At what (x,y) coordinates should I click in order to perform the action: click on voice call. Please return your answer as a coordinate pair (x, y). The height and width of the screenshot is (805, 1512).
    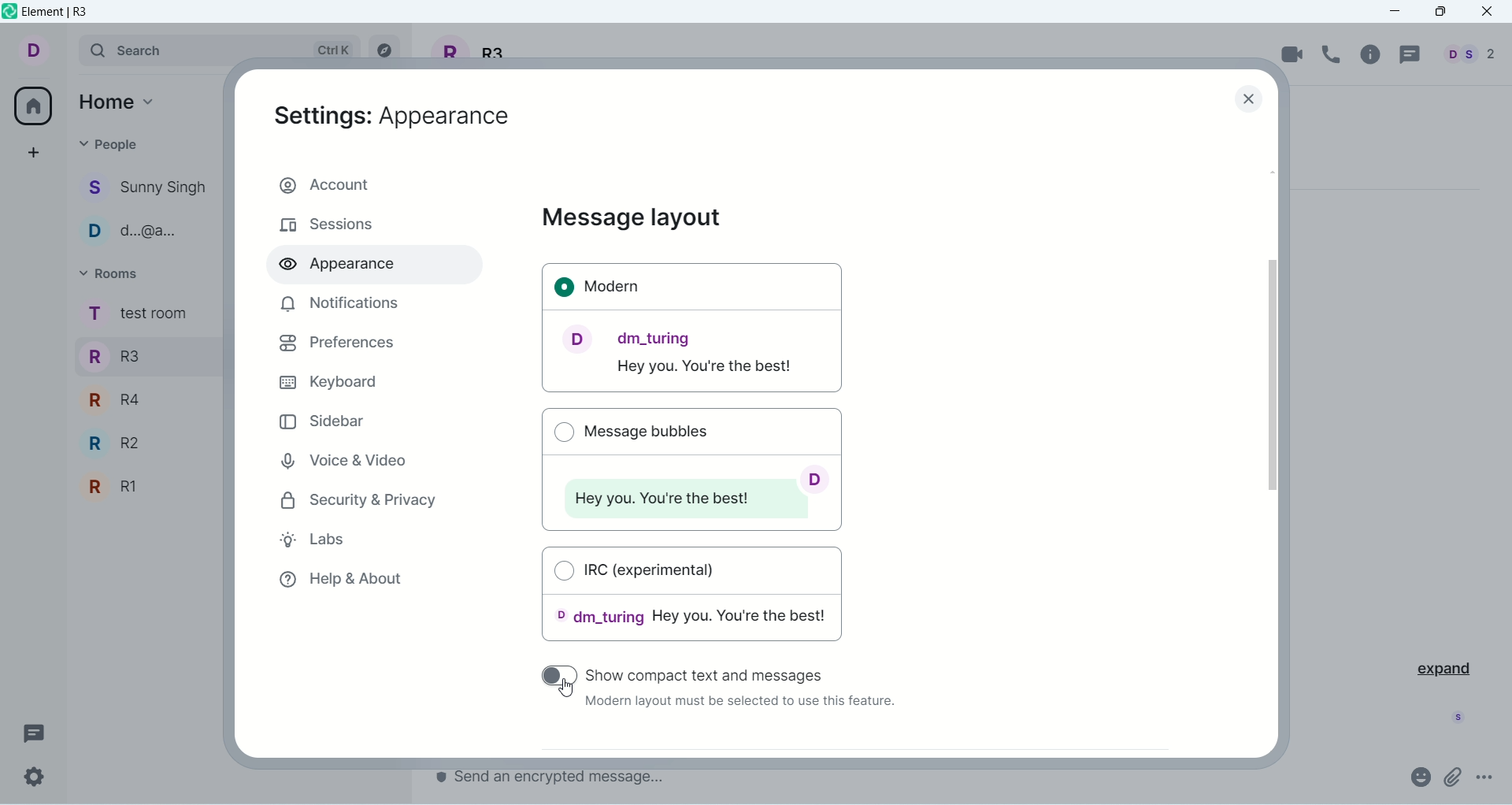
    Looking at the image, I should click on (1335, 54).